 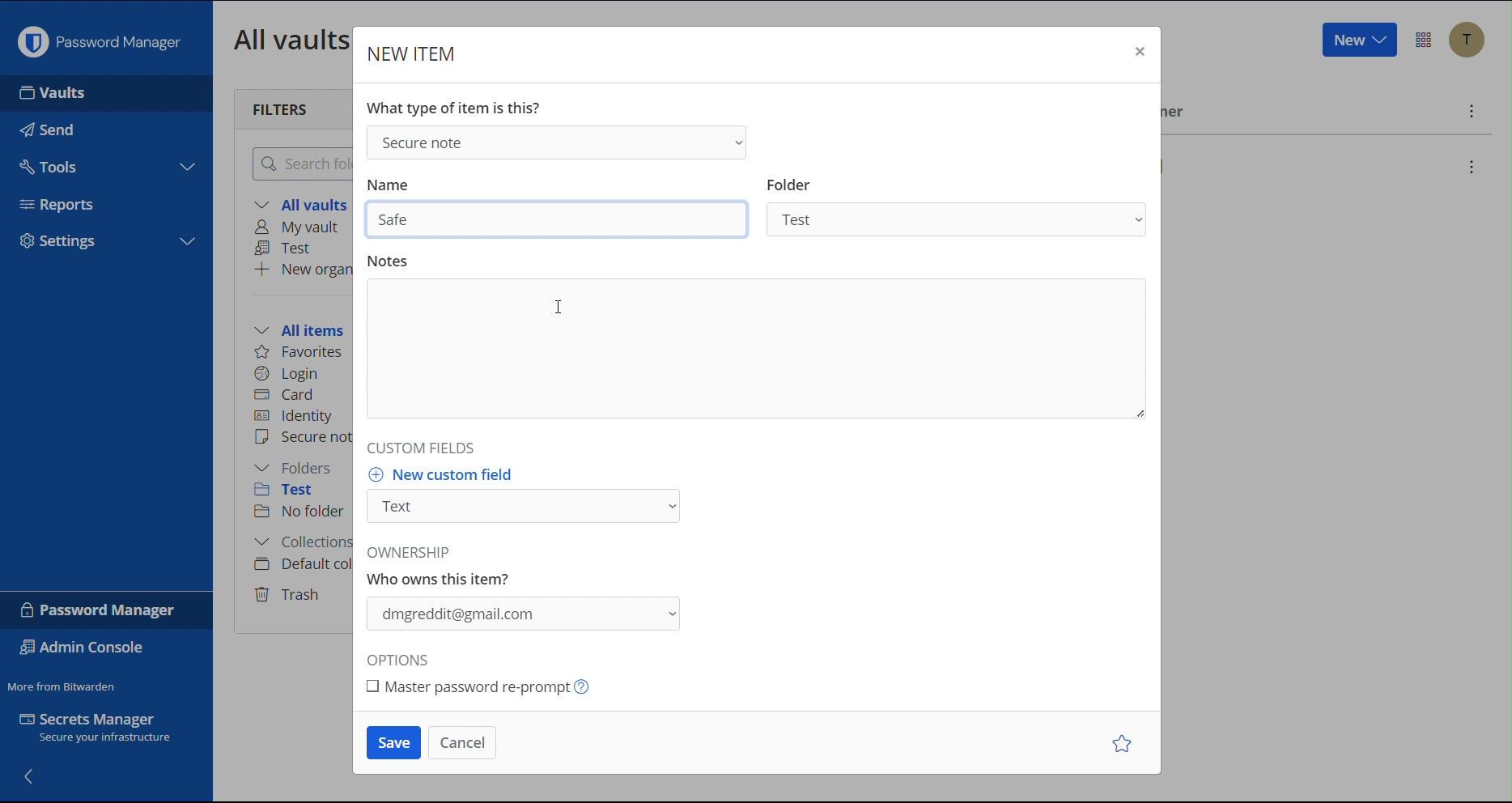 What do you see at coordinates (554, 141) in the screenshot?
I see `Secure Note` at bounding box center [554, 141].